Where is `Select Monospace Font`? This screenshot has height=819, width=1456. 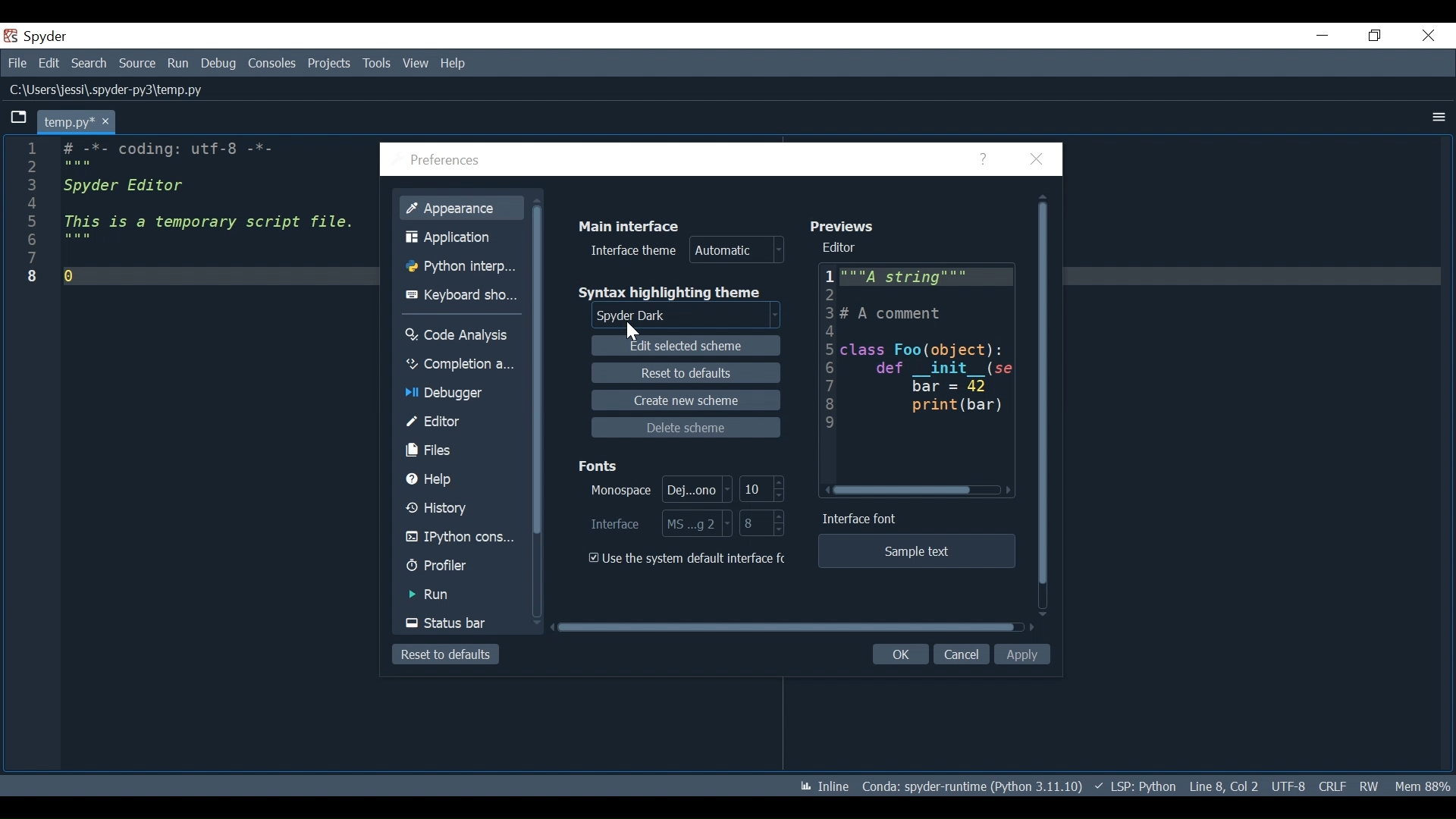 Select Monospace Font is located at coordinates (658, 489).